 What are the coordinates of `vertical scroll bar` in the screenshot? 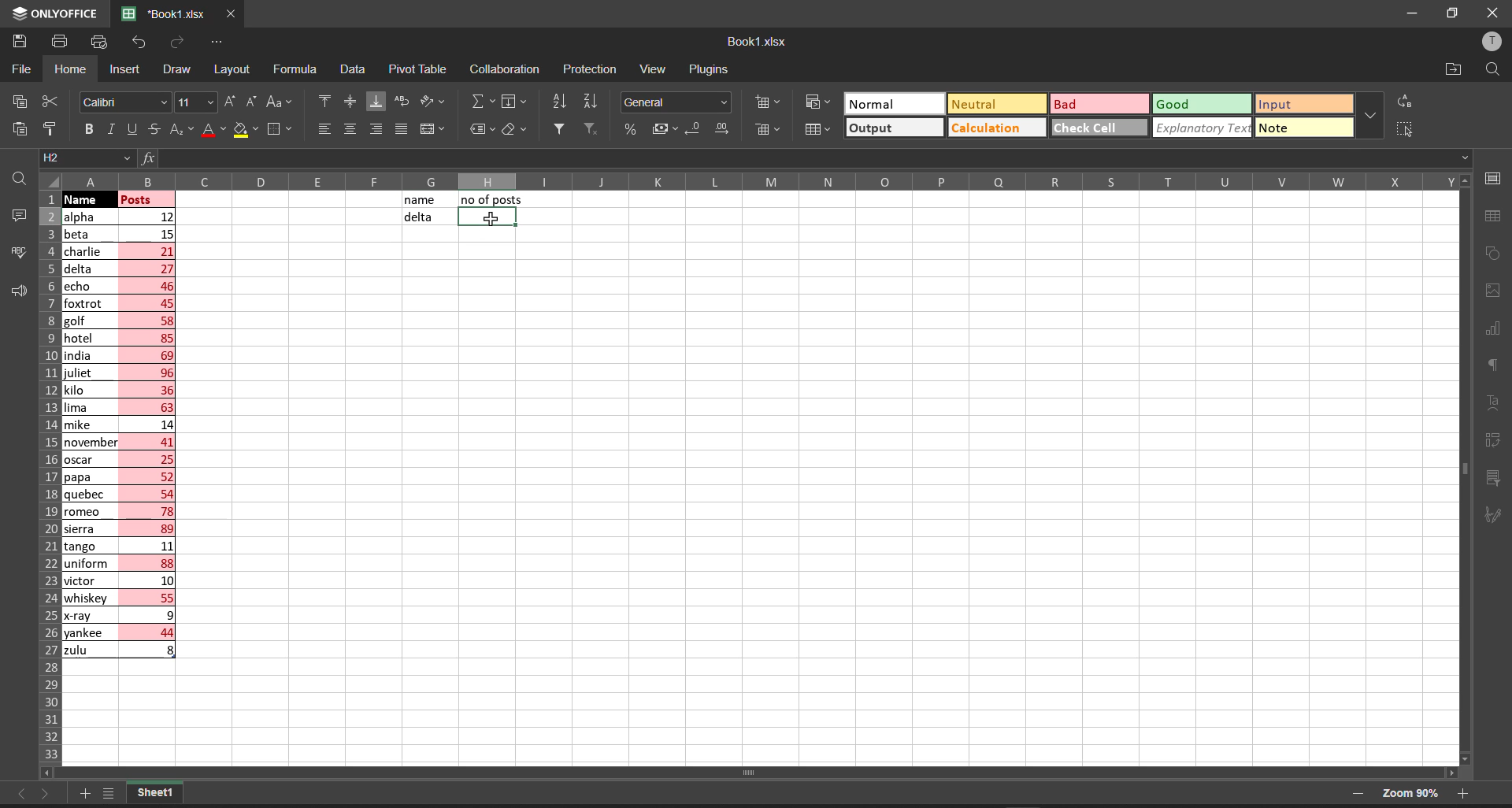 It's located at (1464, 474).